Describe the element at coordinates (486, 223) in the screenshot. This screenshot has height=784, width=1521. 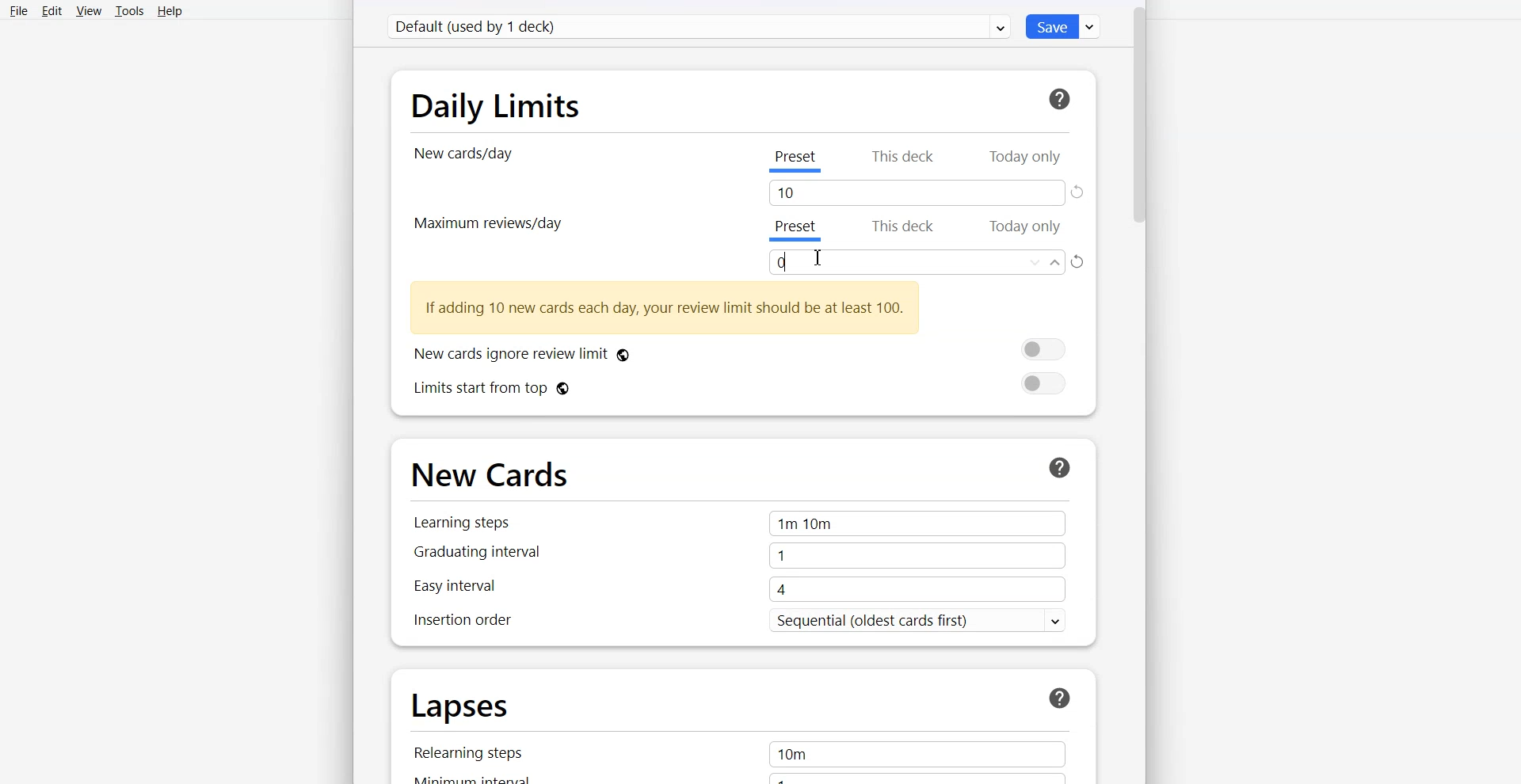
I see `Maximum review/day` at that location.